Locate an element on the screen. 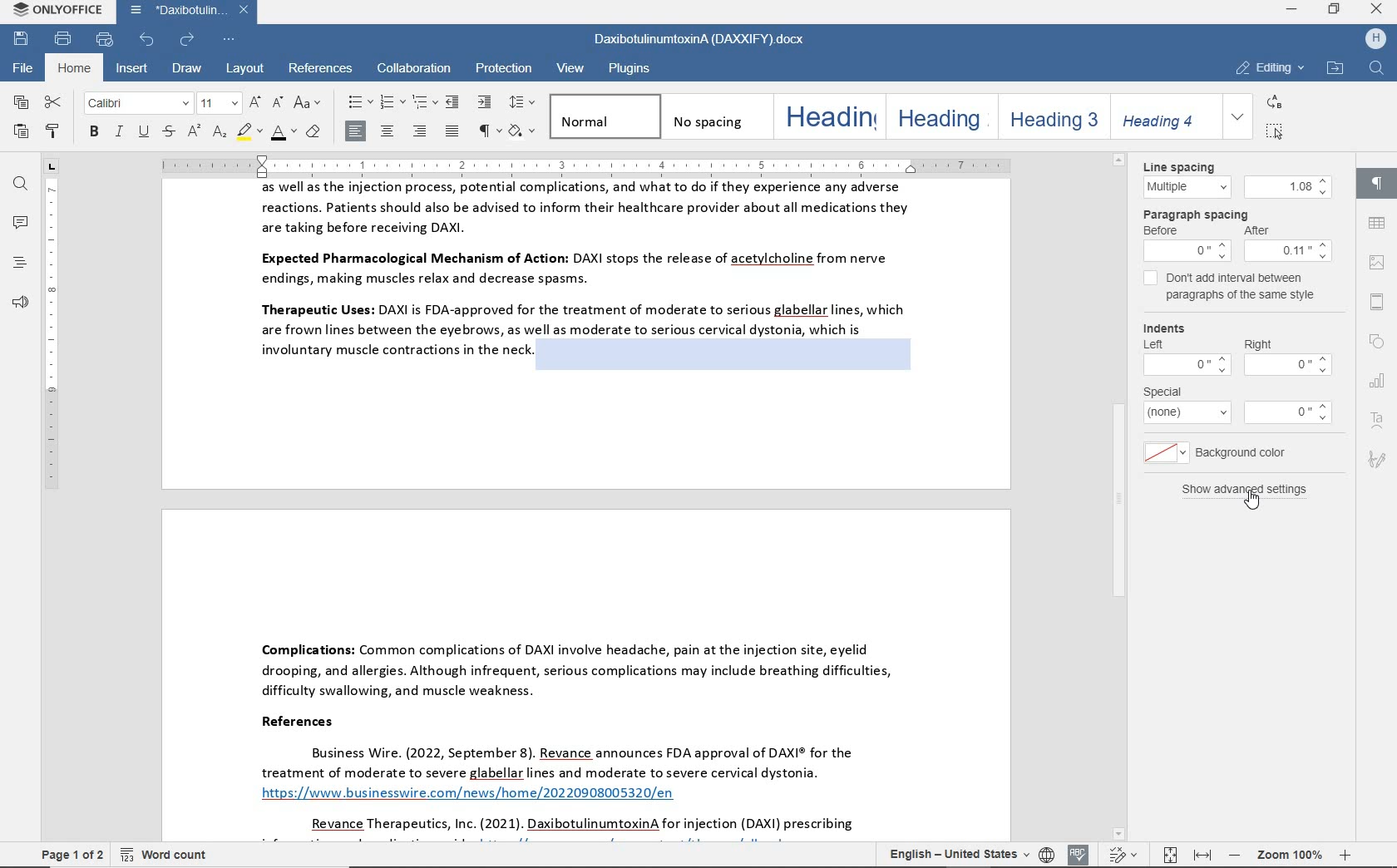  customize quick access toolbar is located at coordinates (227, 41).